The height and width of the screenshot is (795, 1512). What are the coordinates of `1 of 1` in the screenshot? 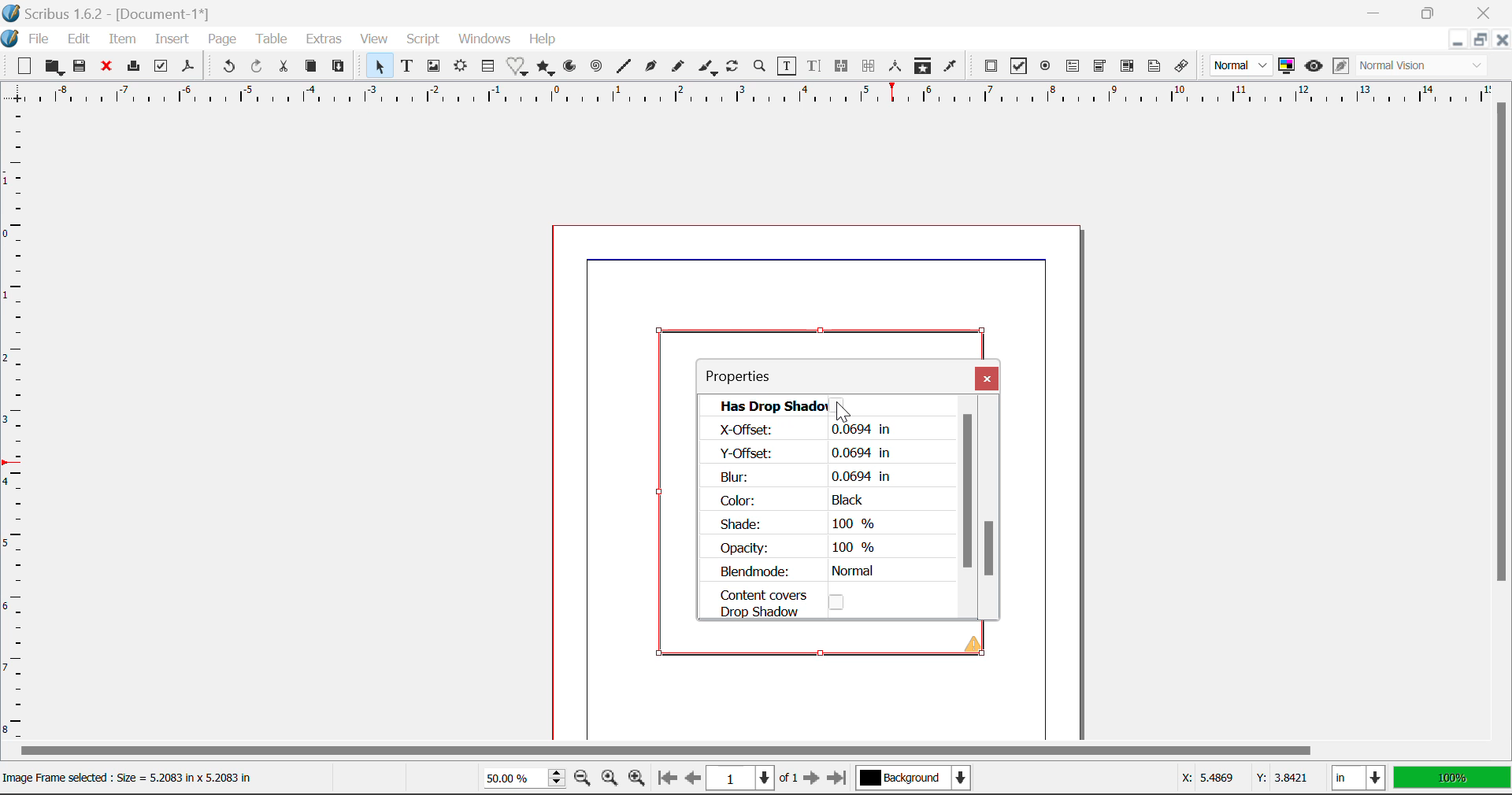 It's located at (751, 778).